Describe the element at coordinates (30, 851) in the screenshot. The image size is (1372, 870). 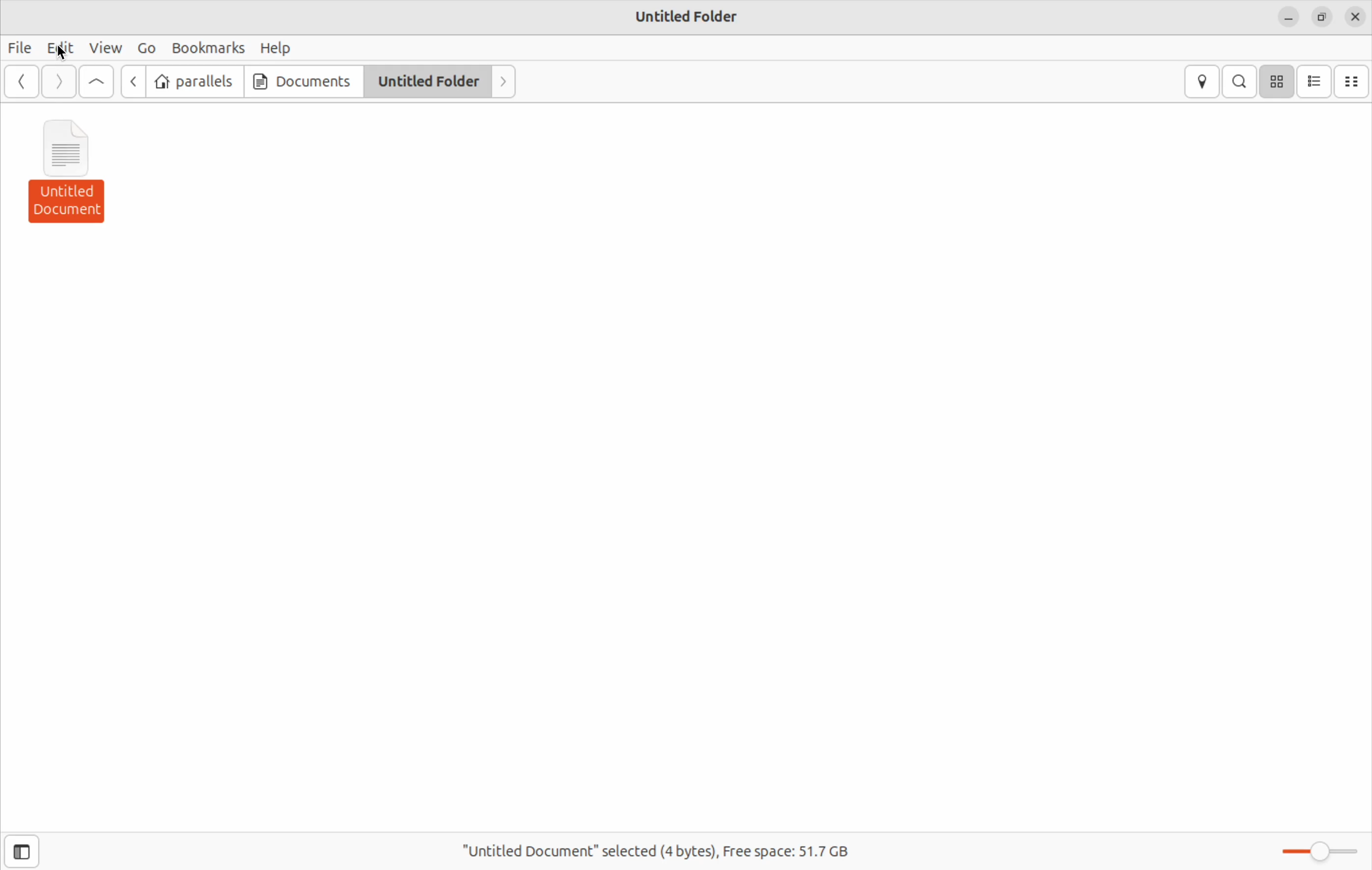
I see `sidebar` at that location.